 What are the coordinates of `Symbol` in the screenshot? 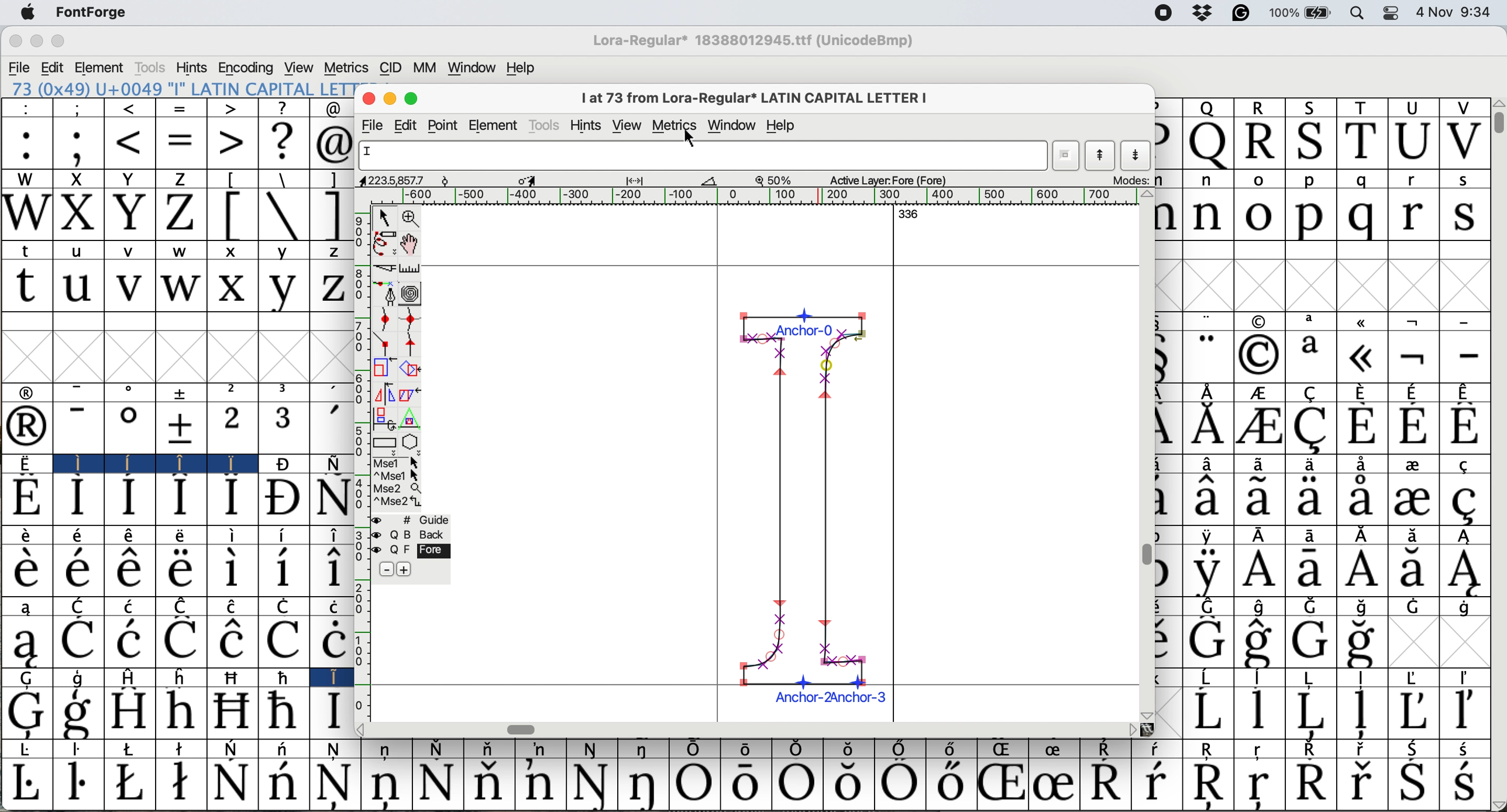 It's located at (282, 464).